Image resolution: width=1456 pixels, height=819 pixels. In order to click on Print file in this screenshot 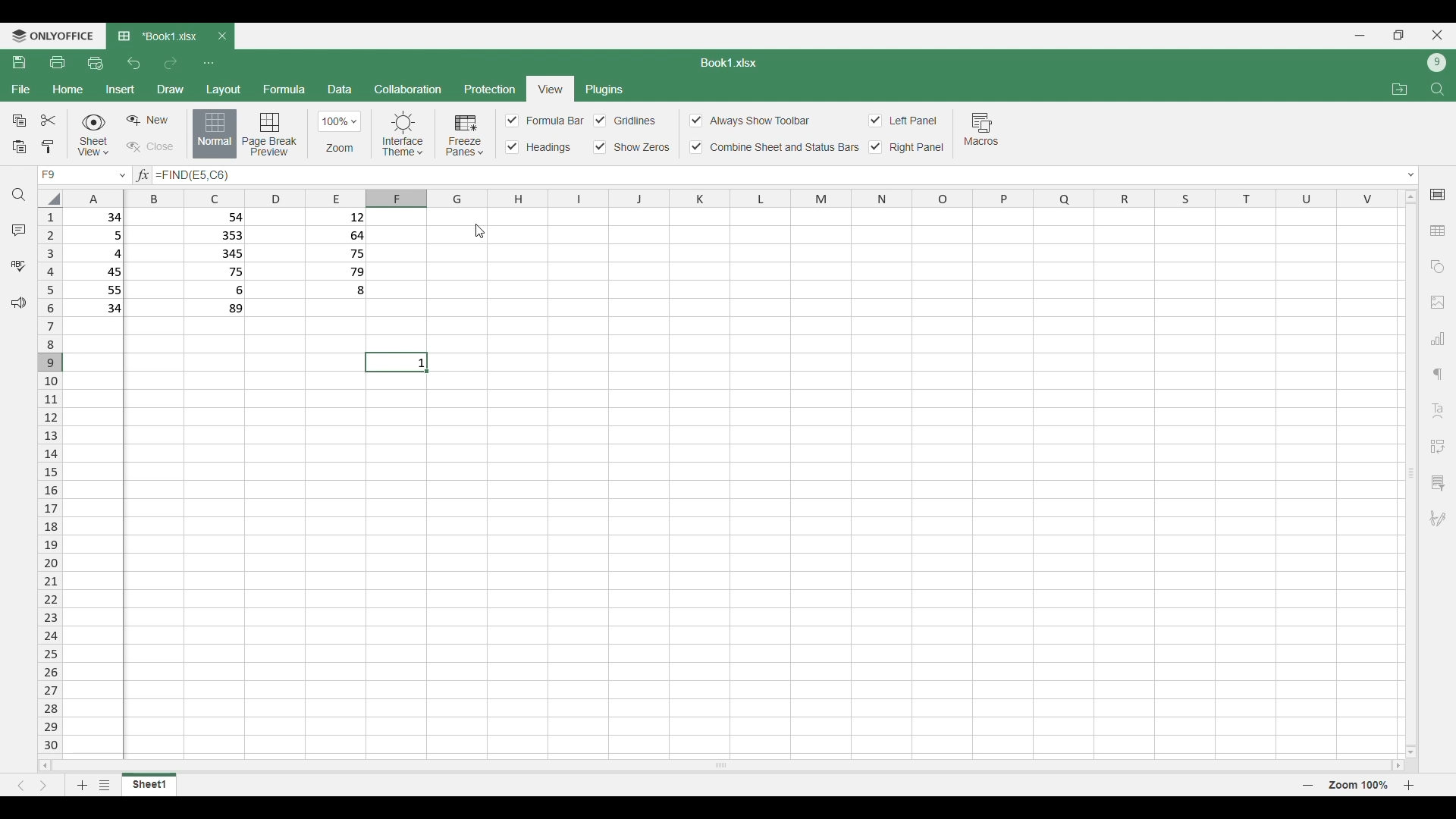, I will do `click(58, 62)`.